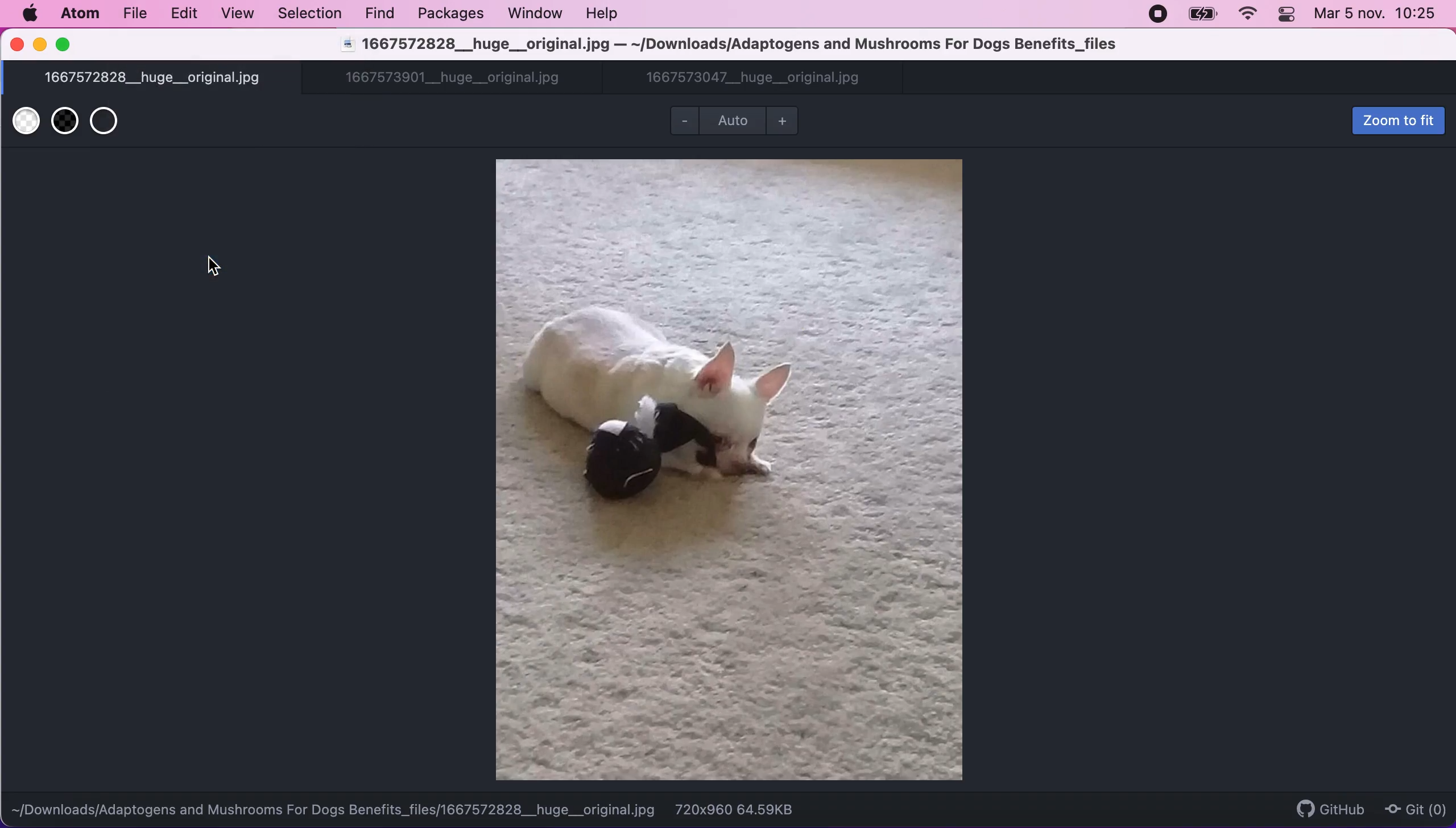 This screenshot has height=828, width=1456. Describe the element at coordinates (1159, 14) in the screenshot. I see `recording stopped` at that location.